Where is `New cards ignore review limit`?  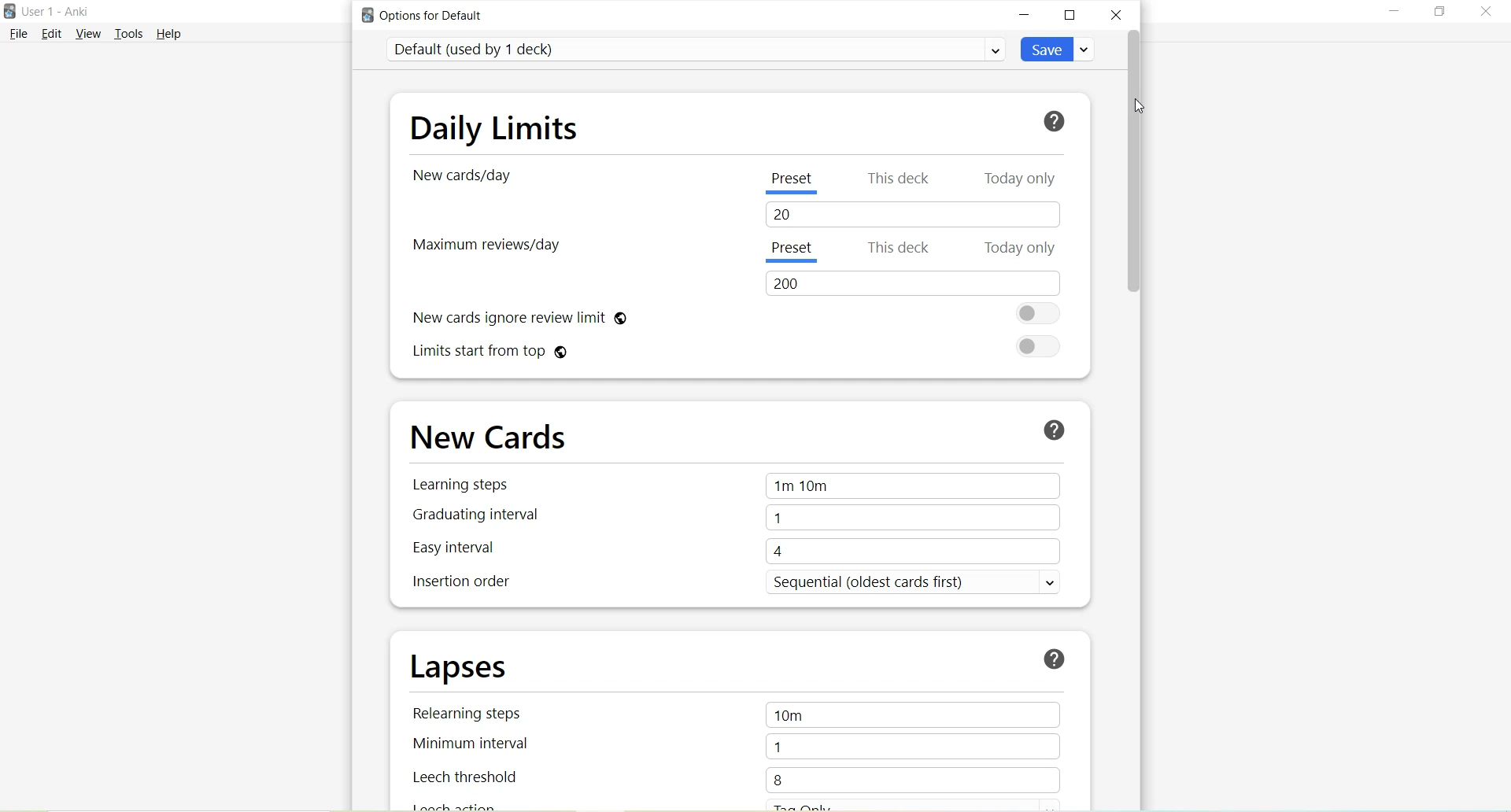 New cards ignore review limit is located at coordinates (518, 316).